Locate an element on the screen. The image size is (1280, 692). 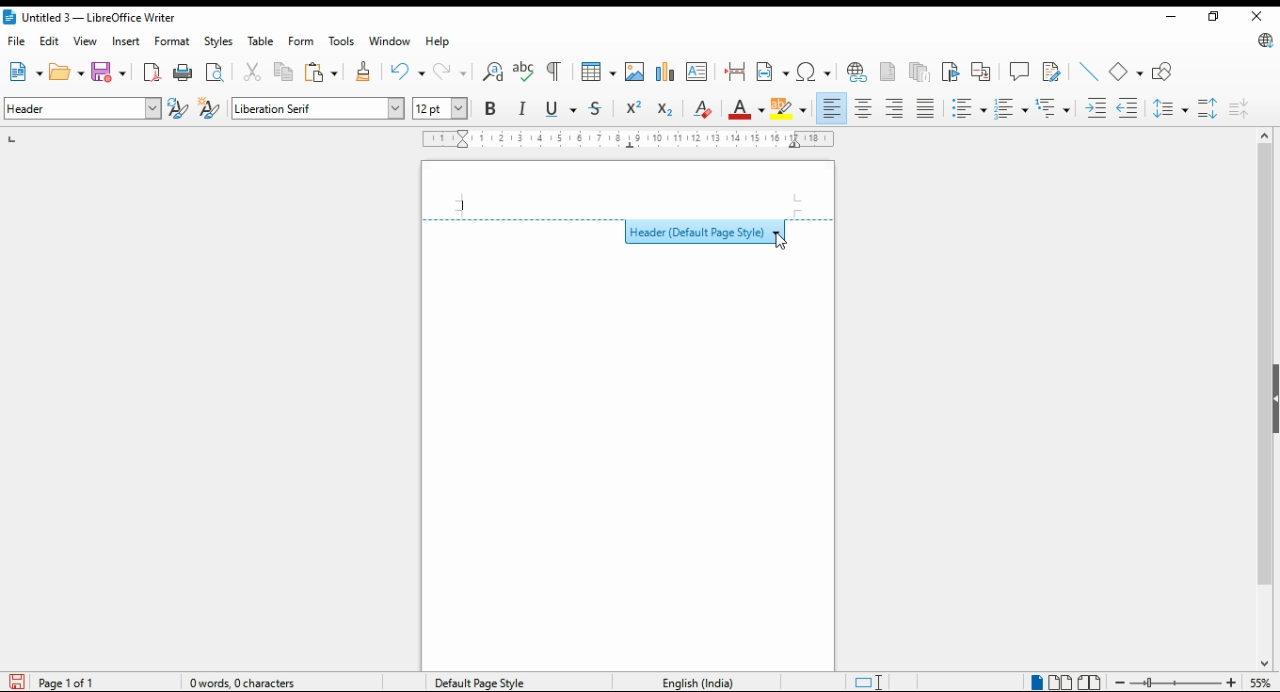
new is located at coordinates (24, 72).